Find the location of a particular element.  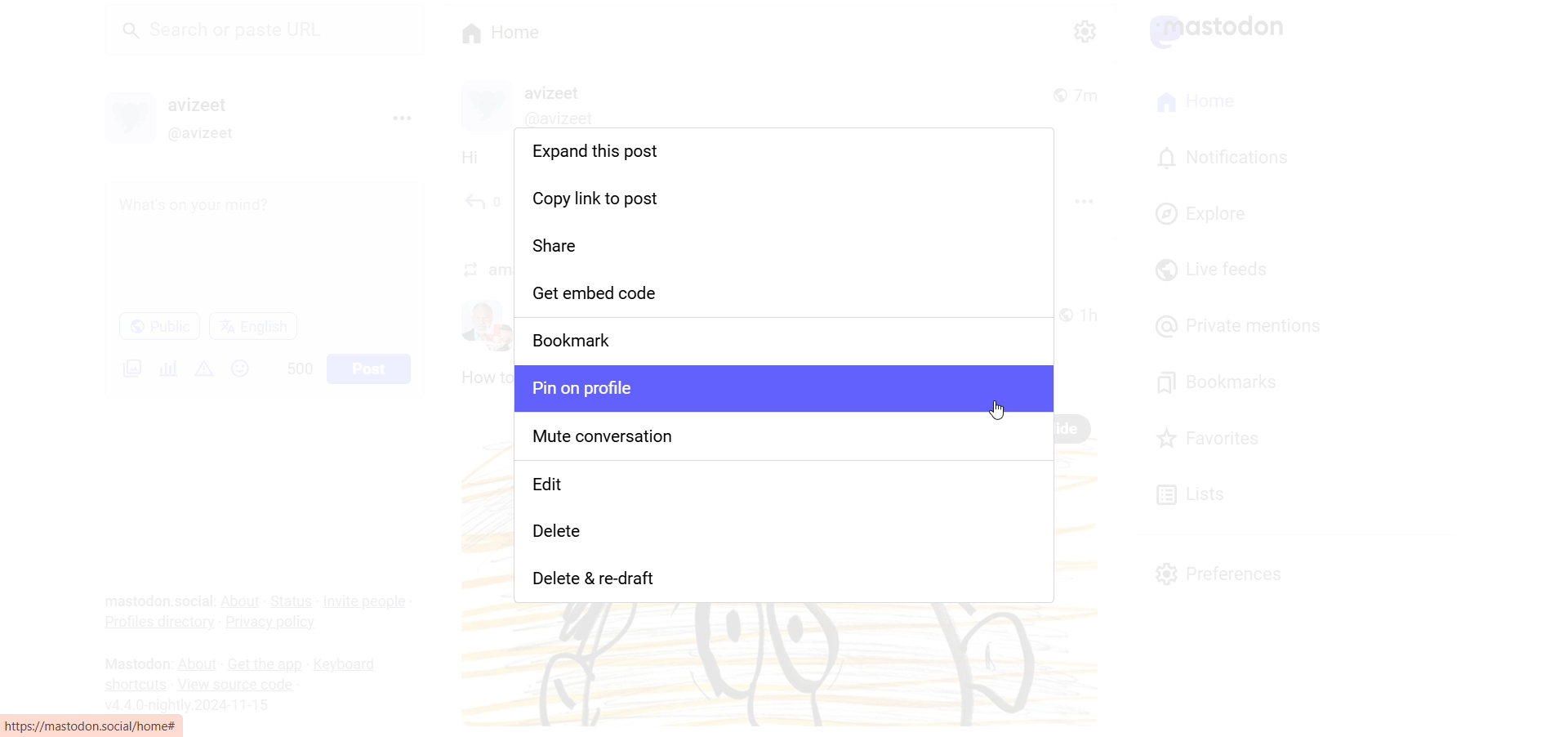

Profiles directories is located at coordinates (156, 625).